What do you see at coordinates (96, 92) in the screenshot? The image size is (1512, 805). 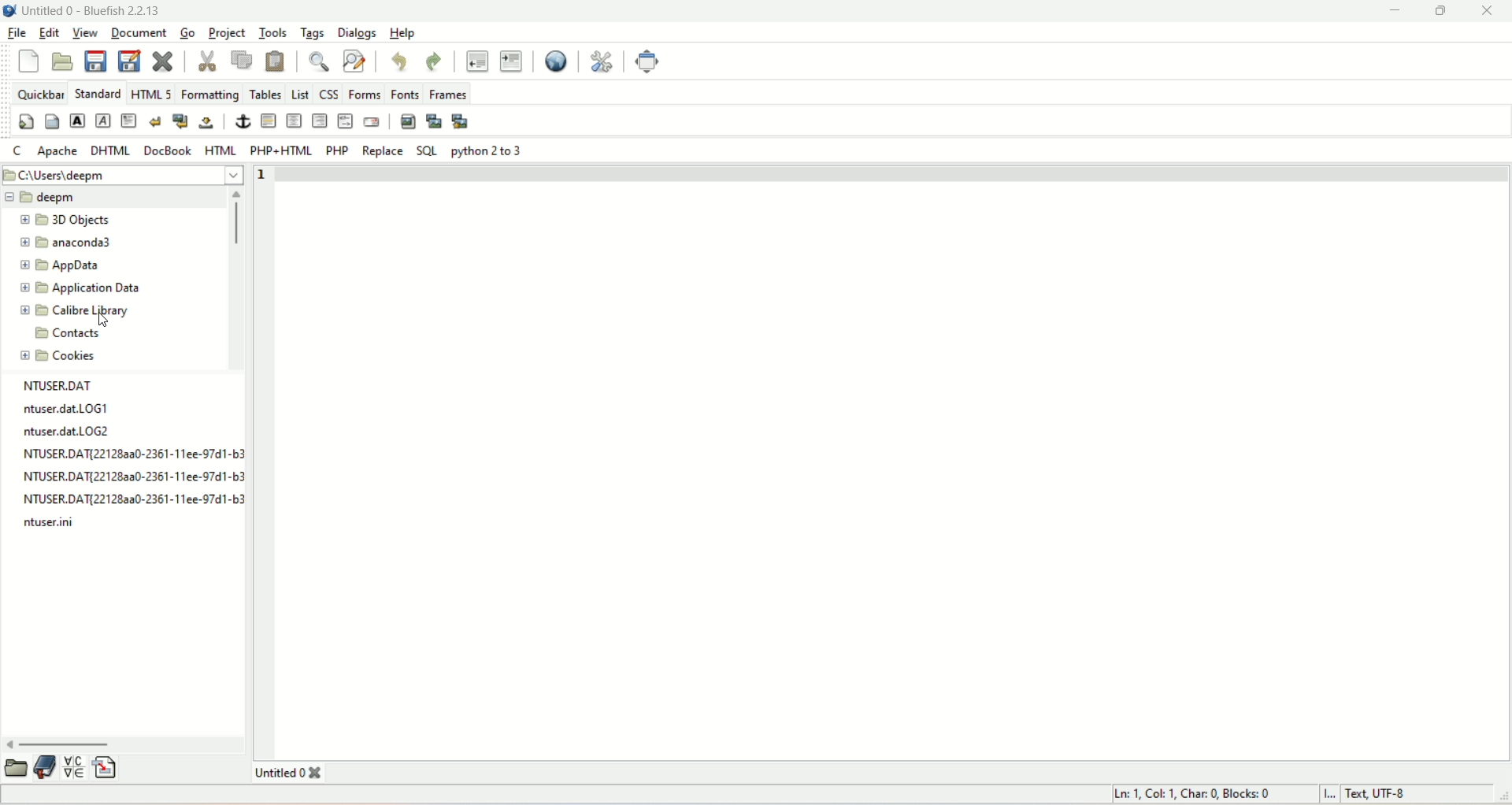 I see `Standard` at bounding box center [96, 92].